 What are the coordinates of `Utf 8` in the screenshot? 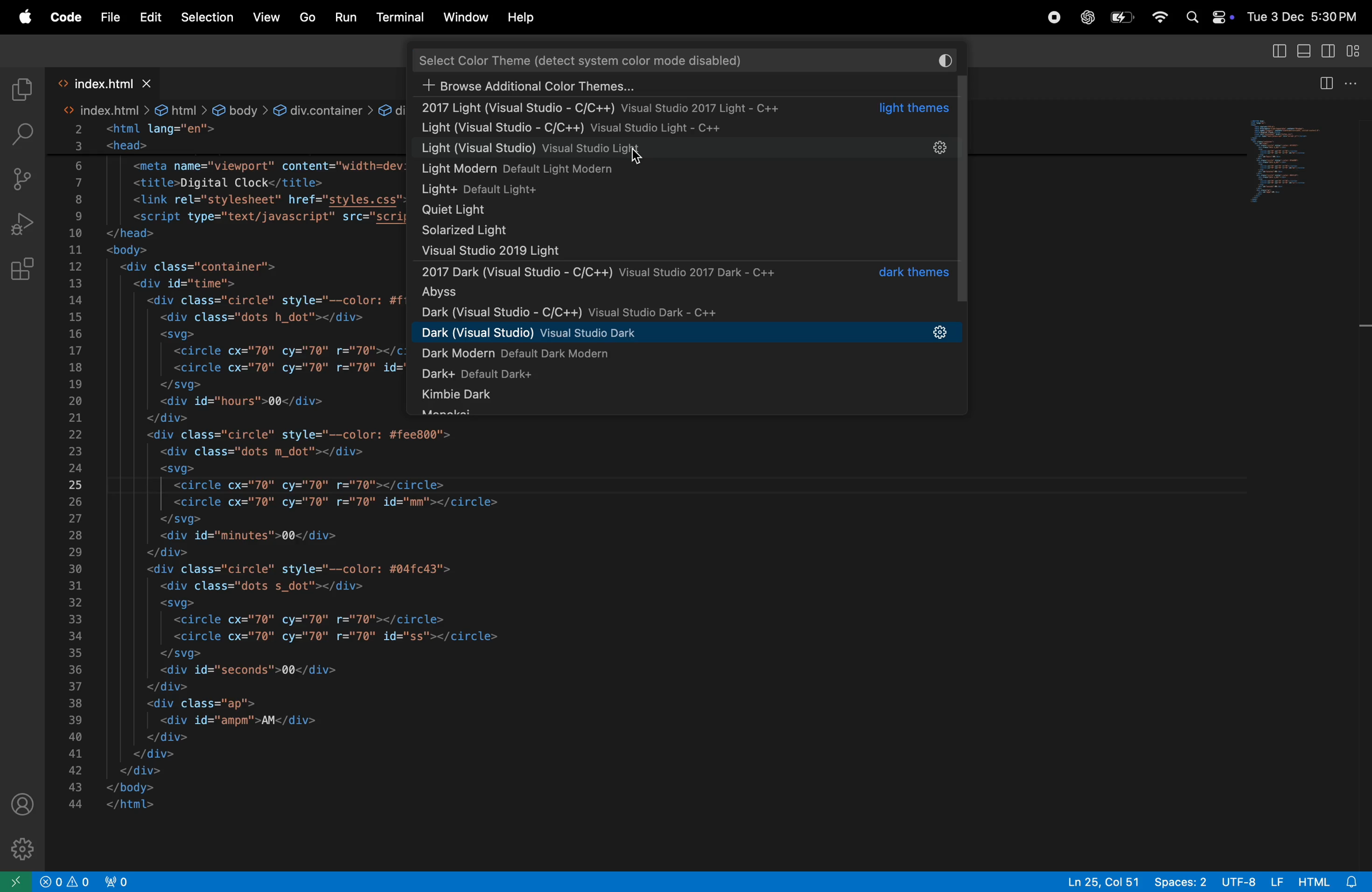 It's located at (1252, 880).